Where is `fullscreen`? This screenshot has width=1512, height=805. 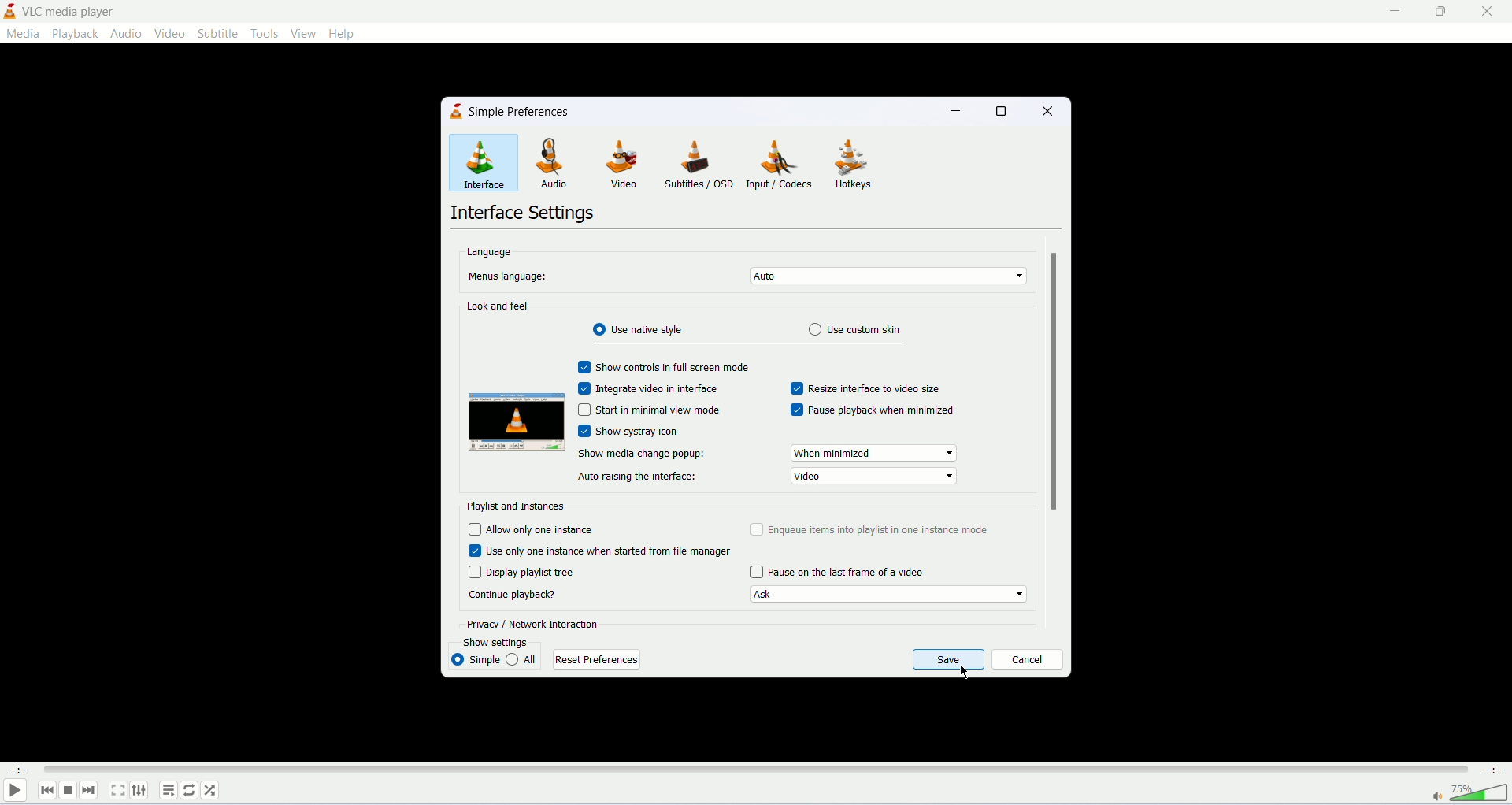
fullscreen is located at coordinates (117, 792).